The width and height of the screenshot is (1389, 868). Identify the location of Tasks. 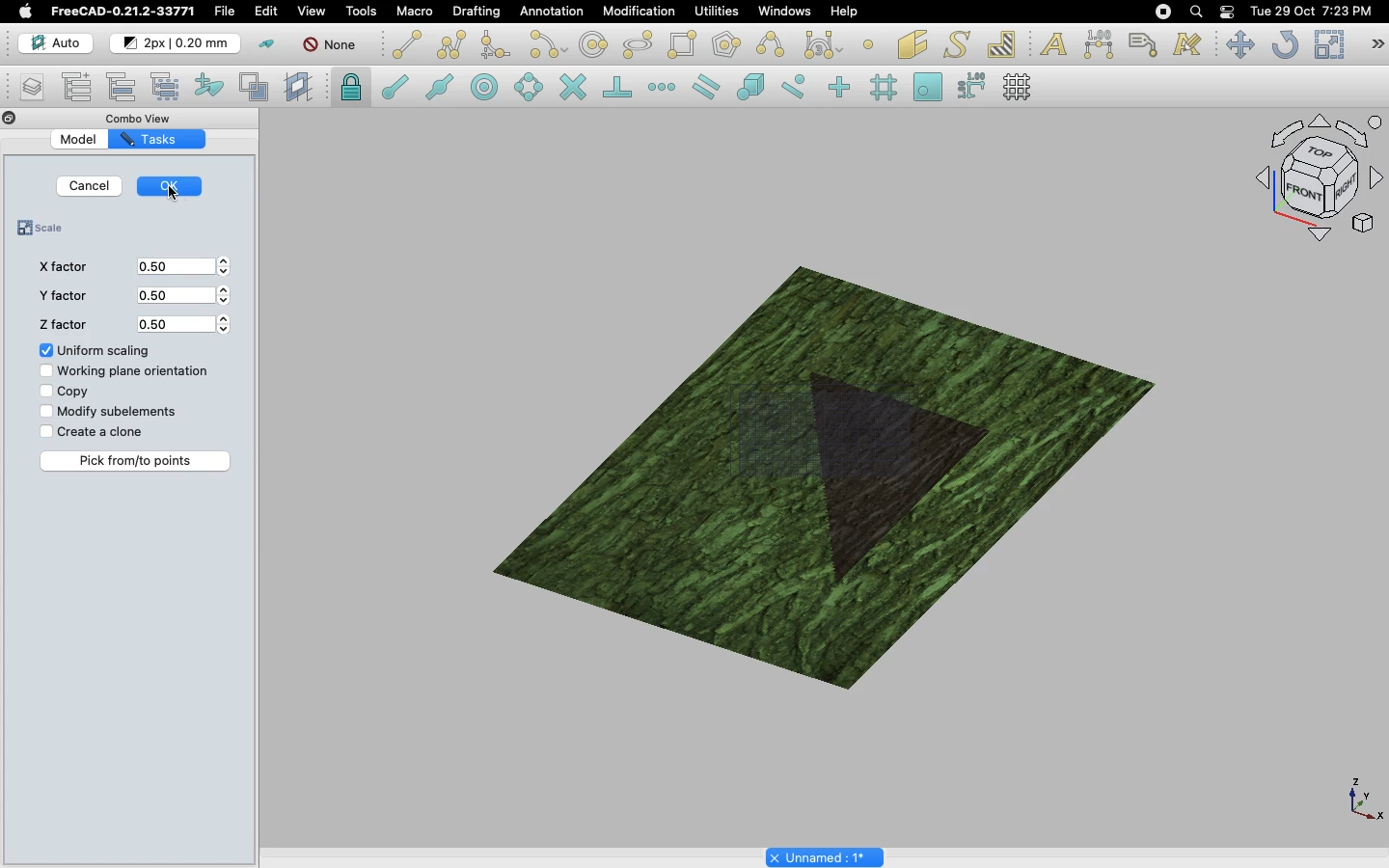
(151, 139).